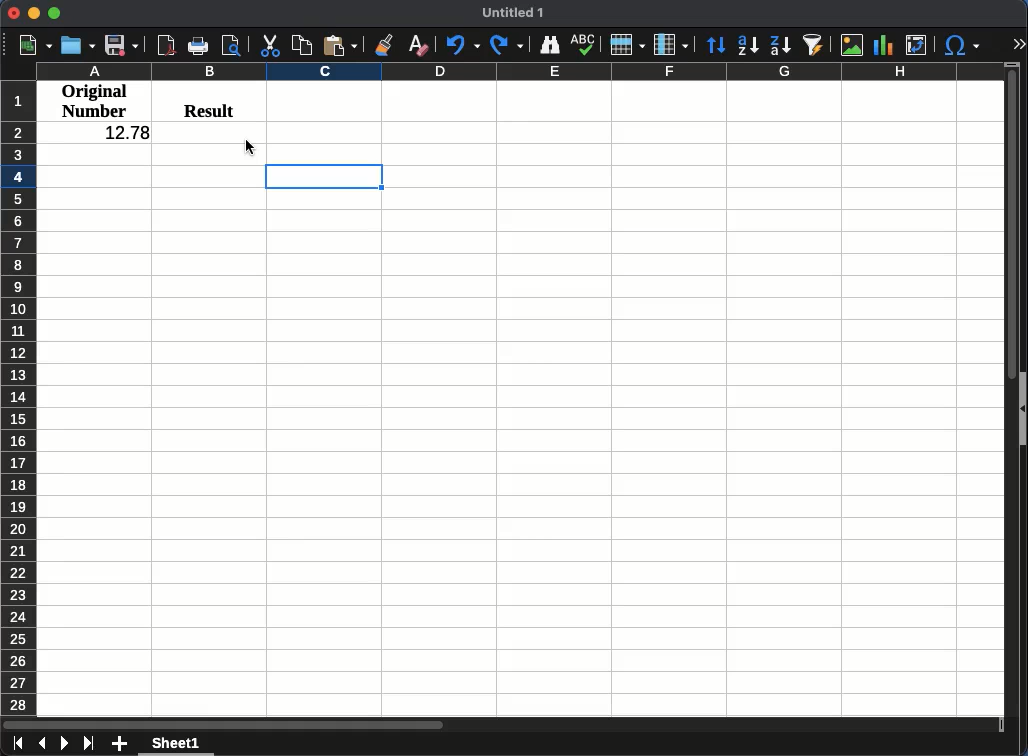 The height and width of the screenshot is (756, 1028). What do you see at coordinates (780, 48) in the screenshot?
I see `decending ` at bounding box center [780, 48].